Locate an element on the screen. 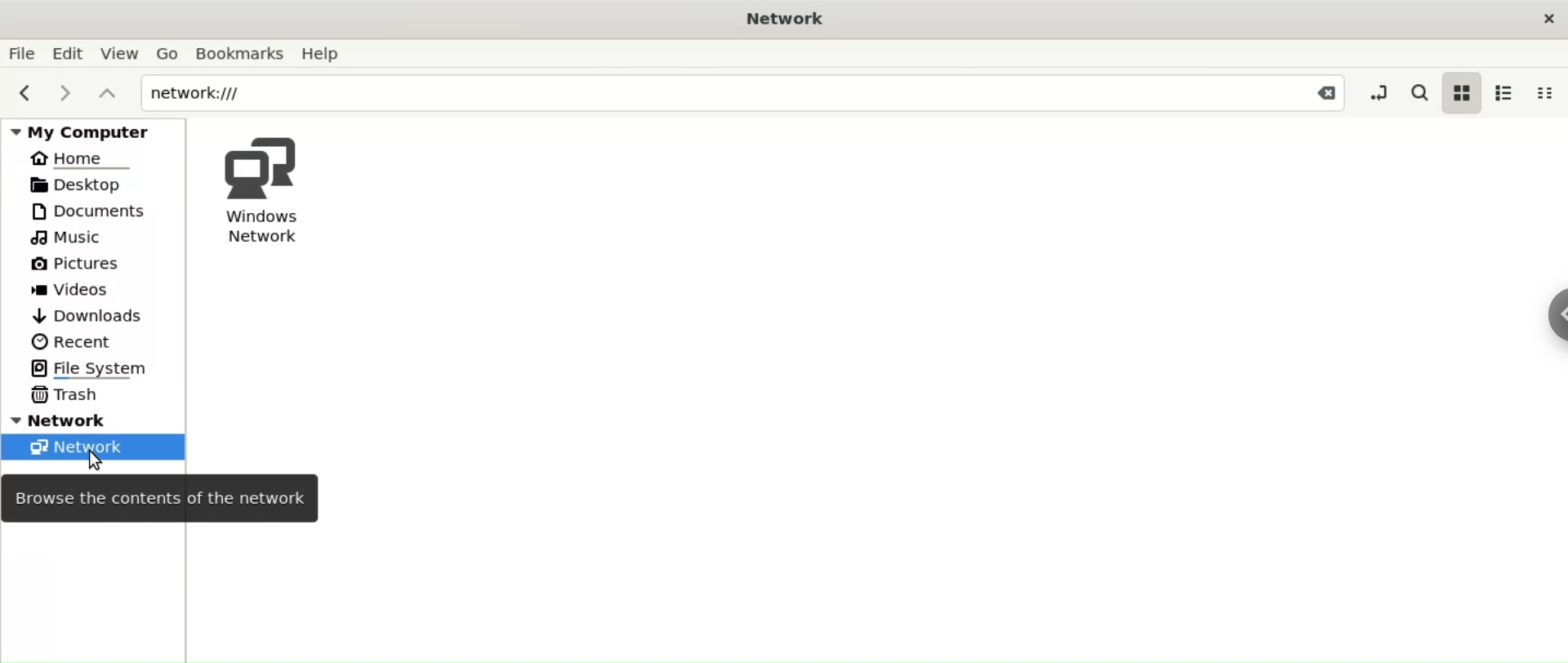 The image size is (1568, 663). close is located at coordinates (1535, 16).